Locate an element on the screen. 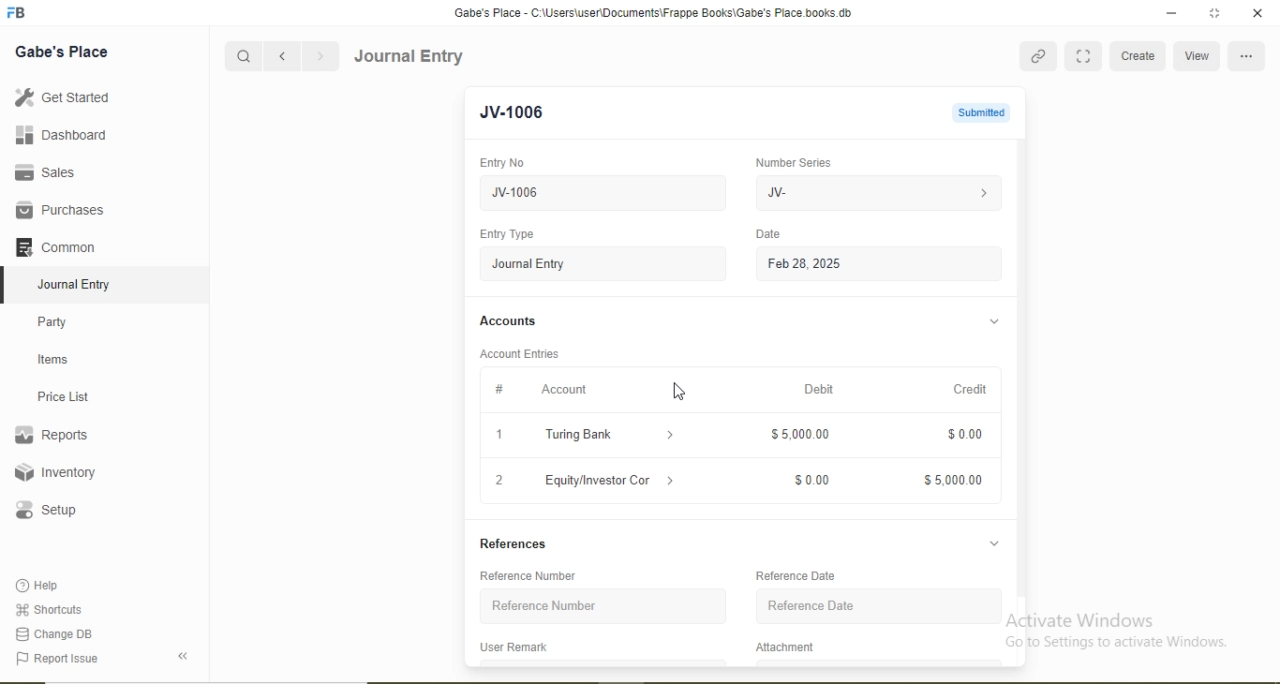 The height and width of the screenshot is (684, 1280). Submitted is located at coordinates (981, 113).